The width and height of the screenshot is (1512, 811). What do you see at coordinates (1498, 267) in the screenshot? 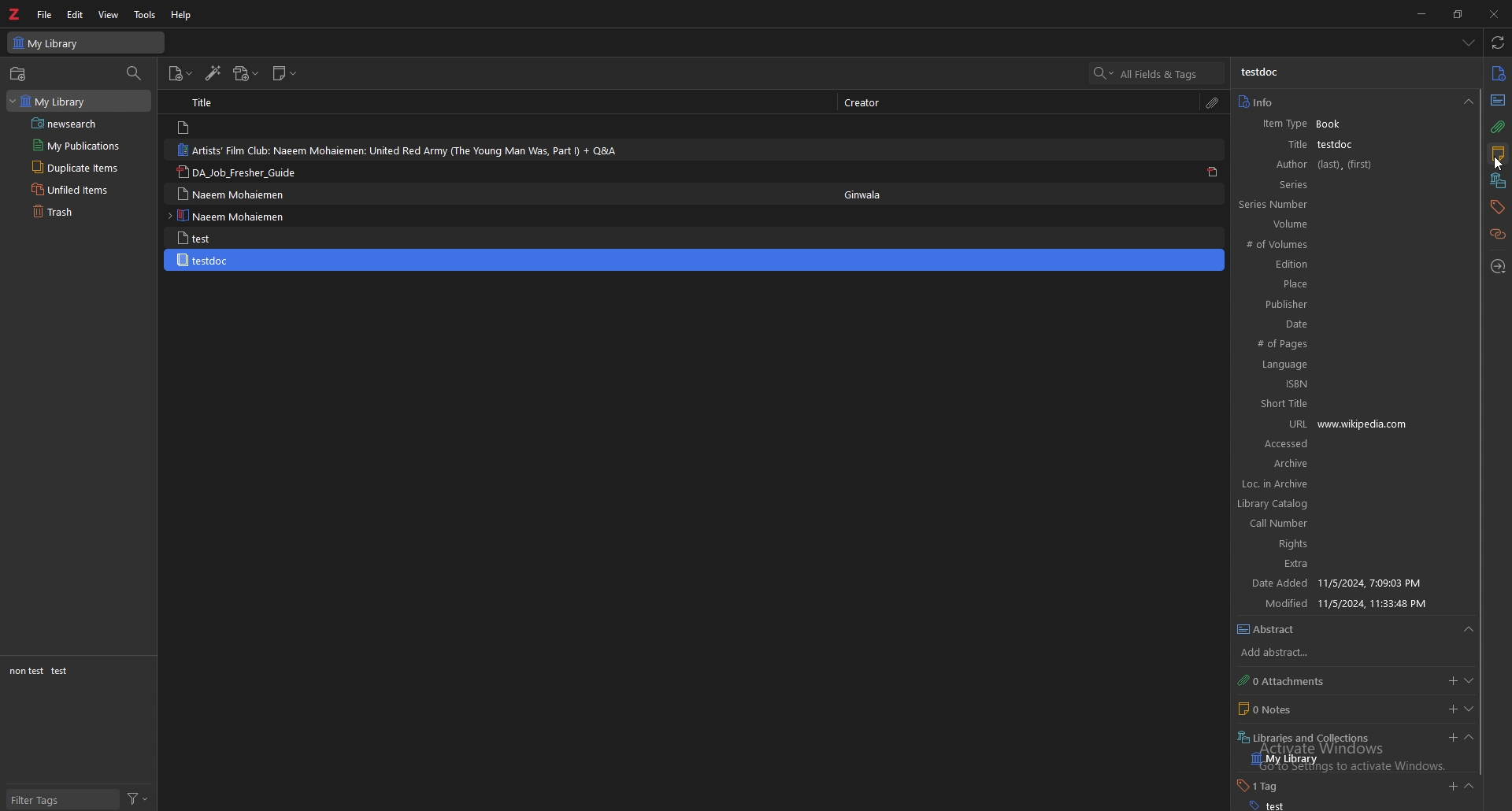
I see `locate` at bounding box center [1498, 267].